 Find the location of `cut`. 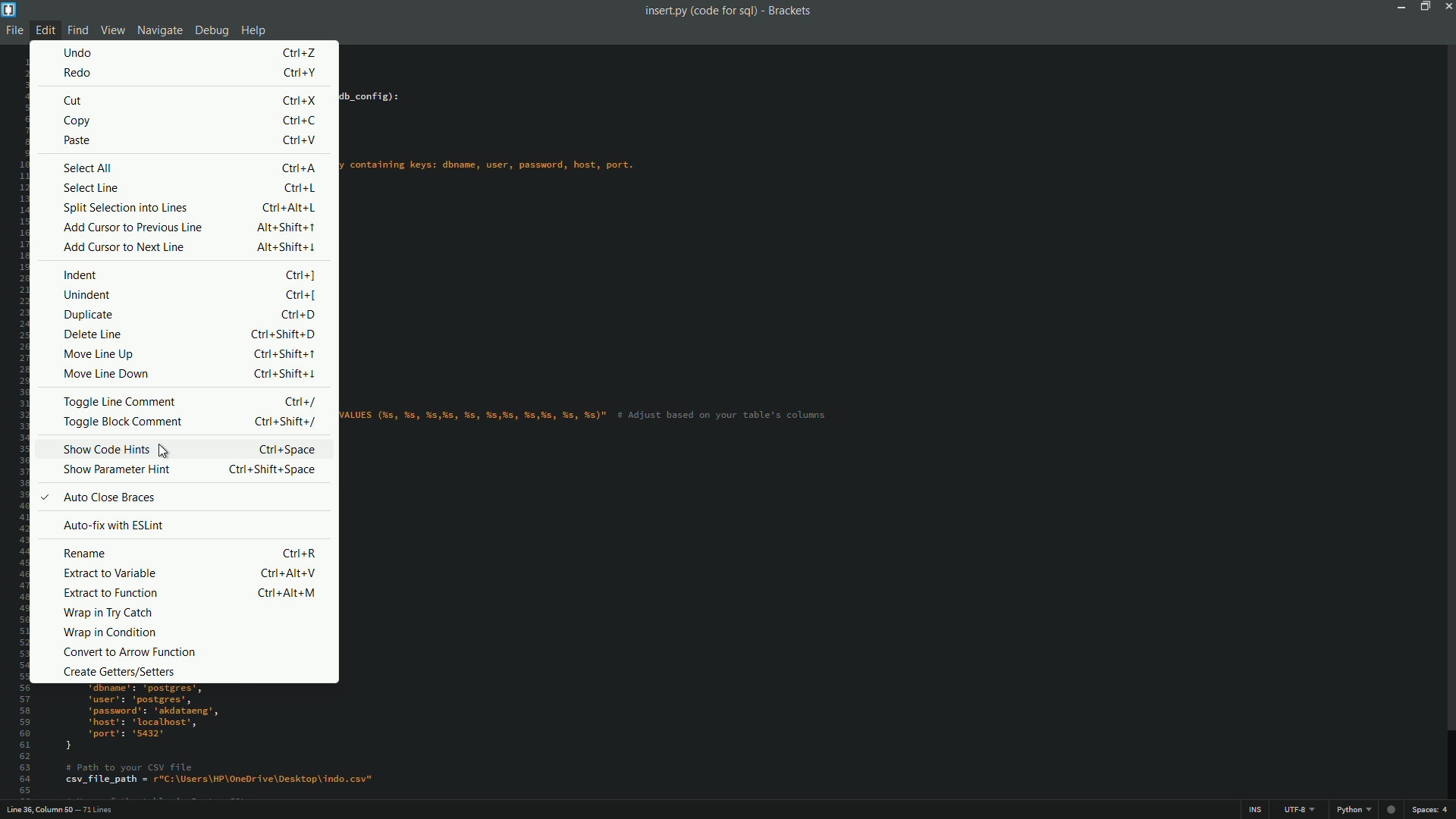

cut is located at coordinates (74, 101).